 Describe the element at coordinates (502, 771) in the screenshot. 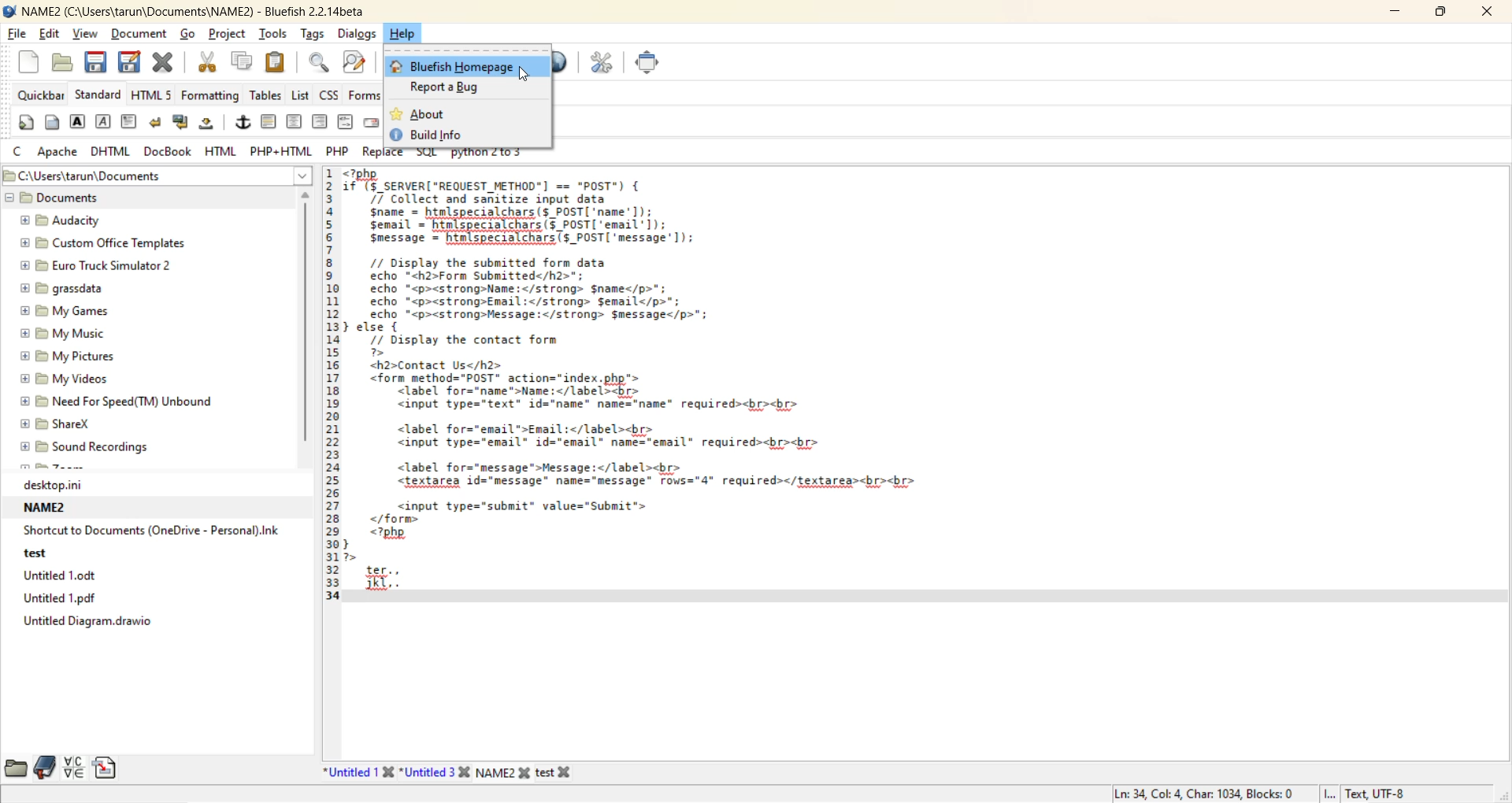

I see `NAME2` at that location.